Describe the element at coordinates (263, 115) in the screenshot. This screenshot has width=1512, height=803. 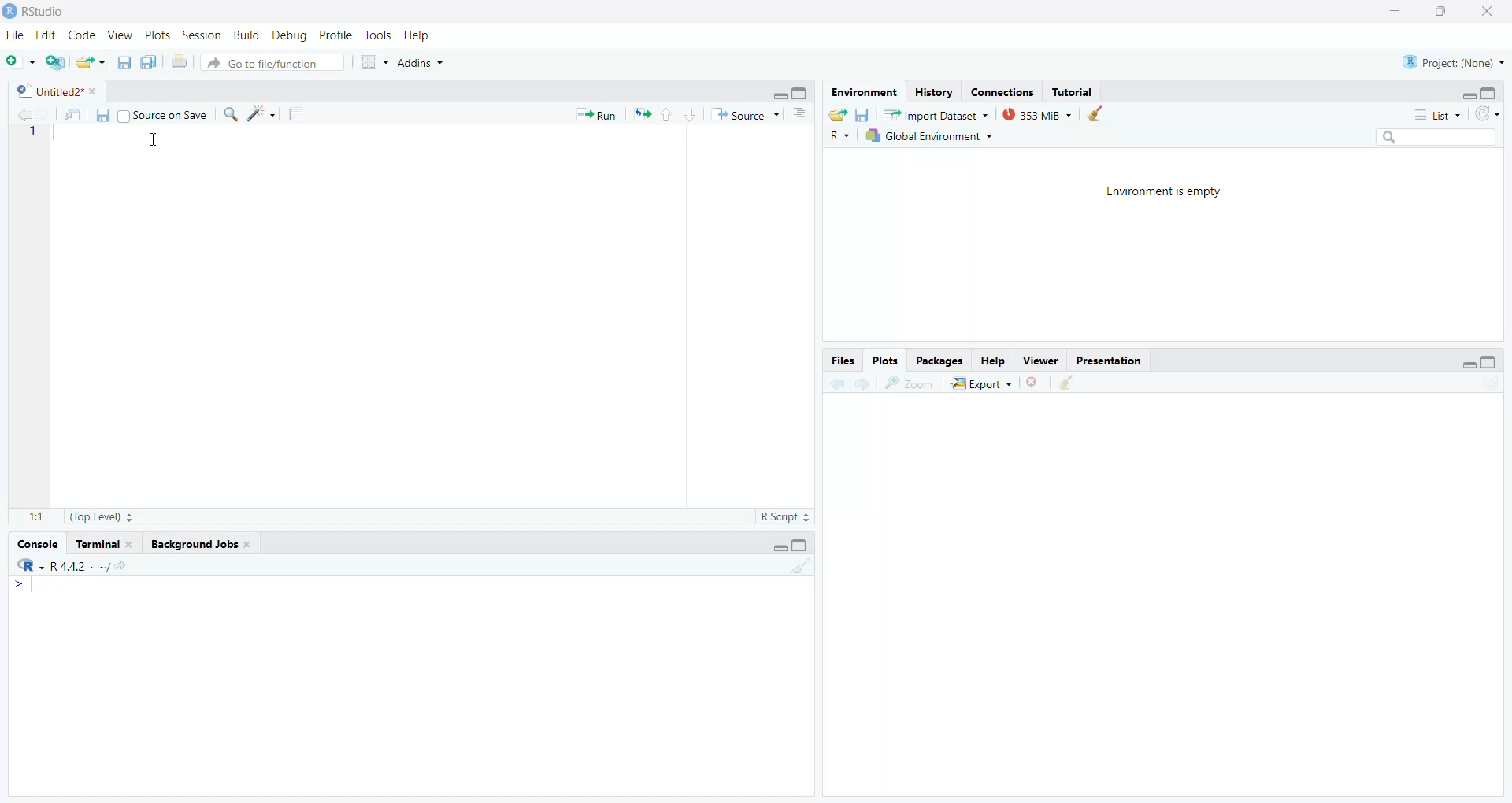
I see `code tools` at that location.